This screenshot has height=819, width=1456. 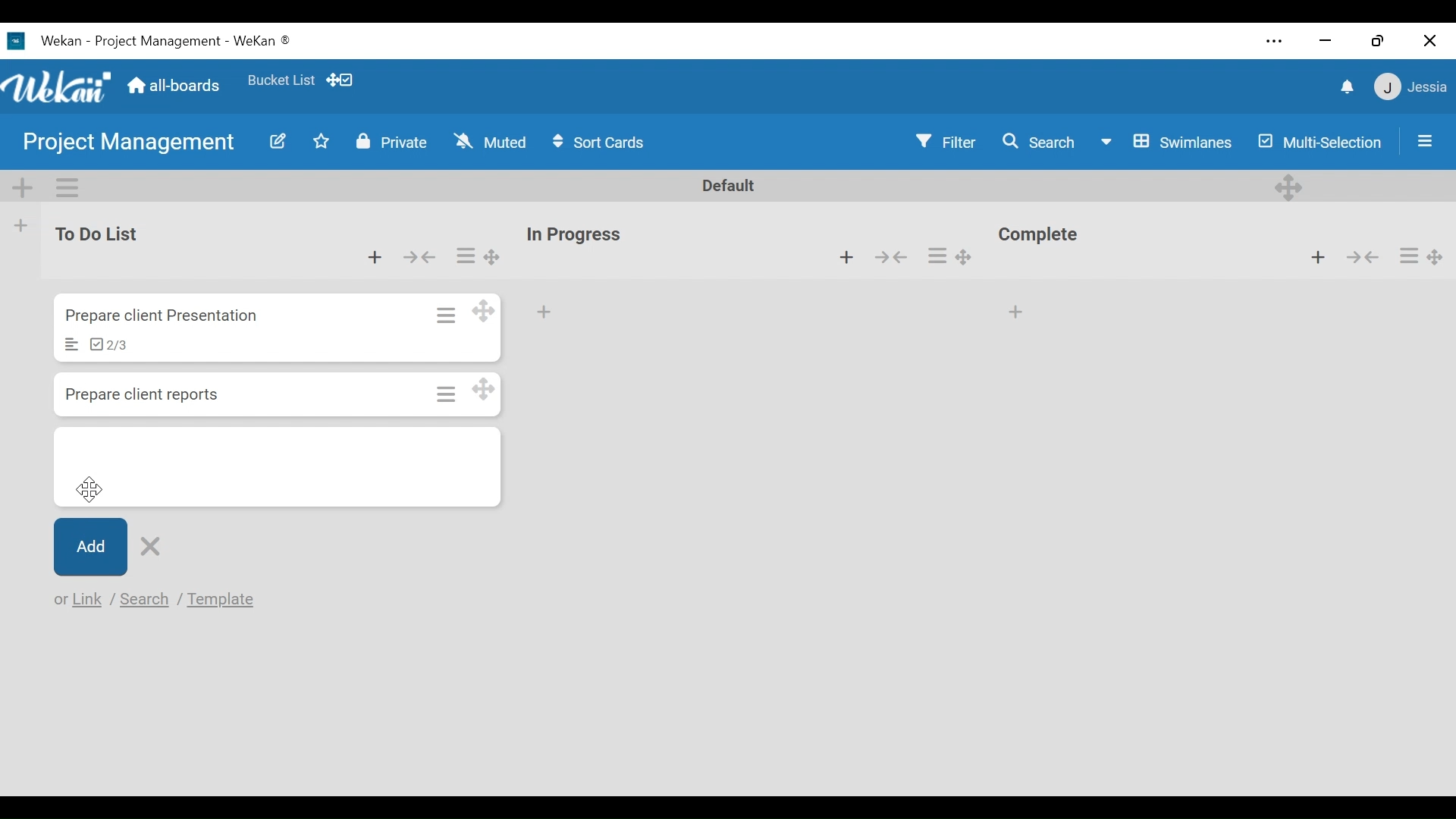 I want to click on prepare client reports, so click(x=142, y=394).